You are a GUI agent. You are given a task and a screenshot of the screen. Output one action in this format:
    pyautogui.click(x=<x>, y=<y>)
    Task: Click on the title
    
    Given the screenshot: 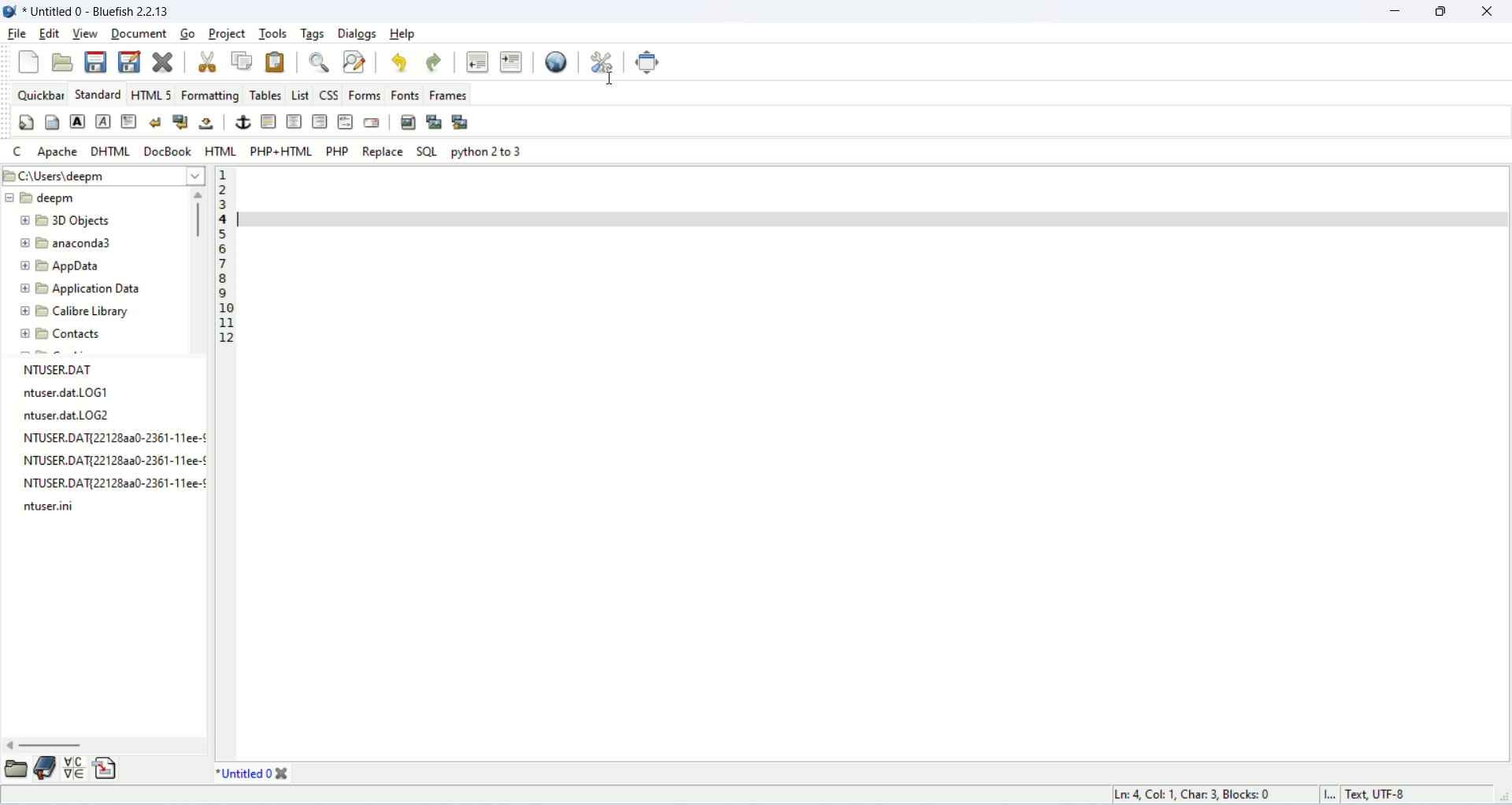 What is the action you would take?
    pyautogui.click(x=253, y=773)
    